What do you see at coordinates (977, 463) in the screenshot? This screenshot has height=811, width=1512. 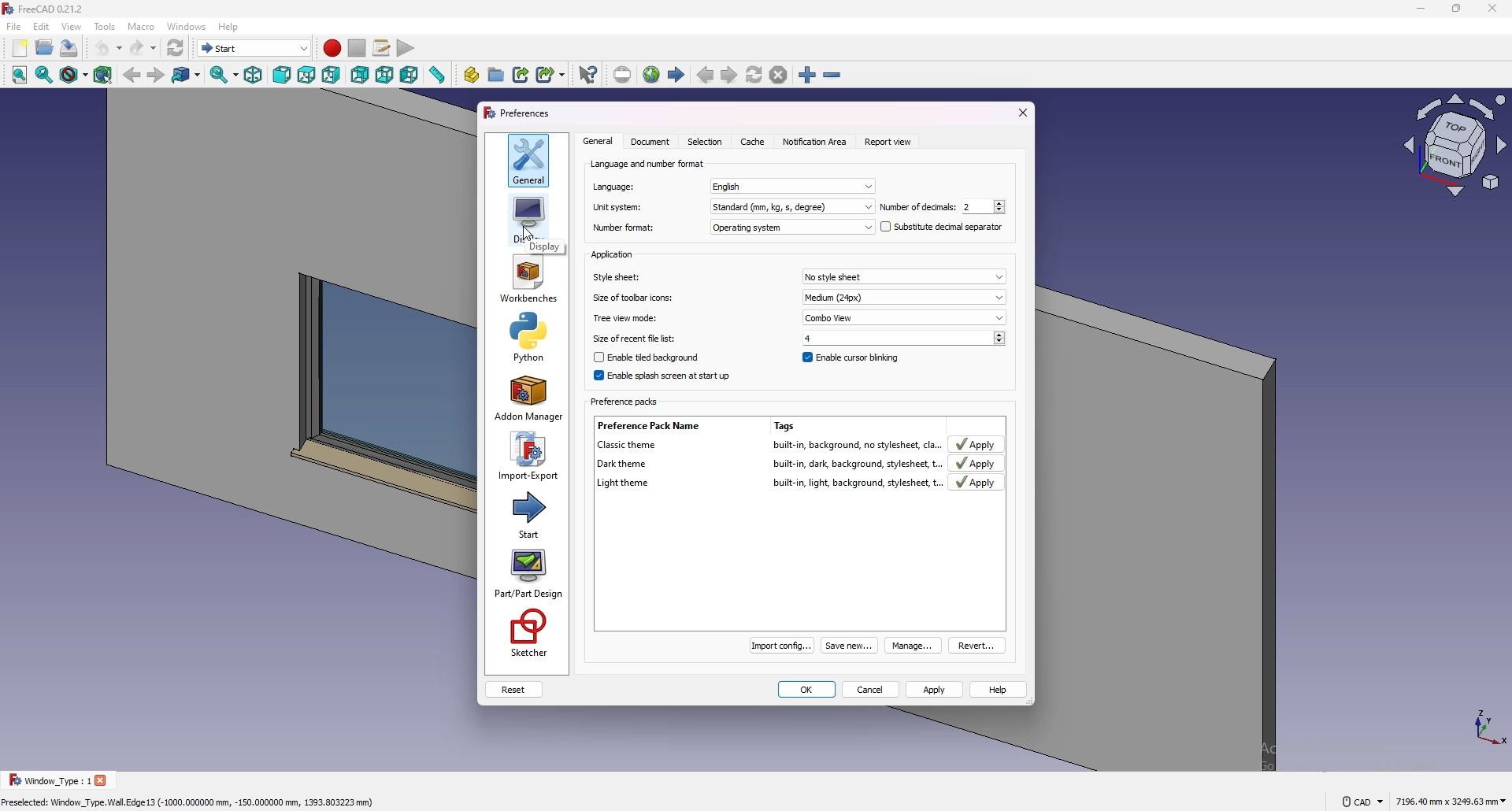 I see `Apply` at bounding box center [977, 463].